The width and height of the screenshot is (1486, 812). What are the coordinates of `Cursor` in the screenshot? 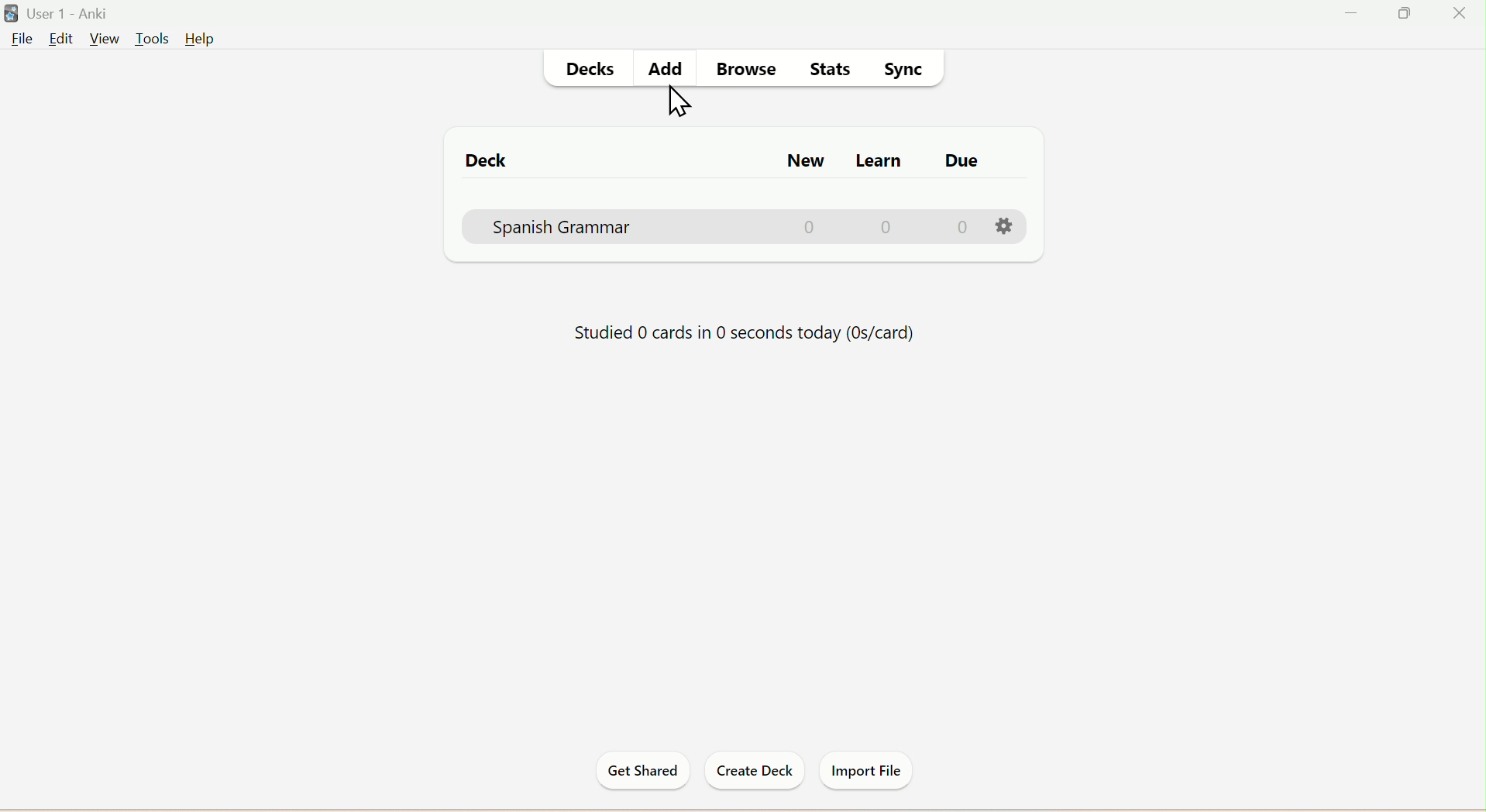 It's located at (679, 104).